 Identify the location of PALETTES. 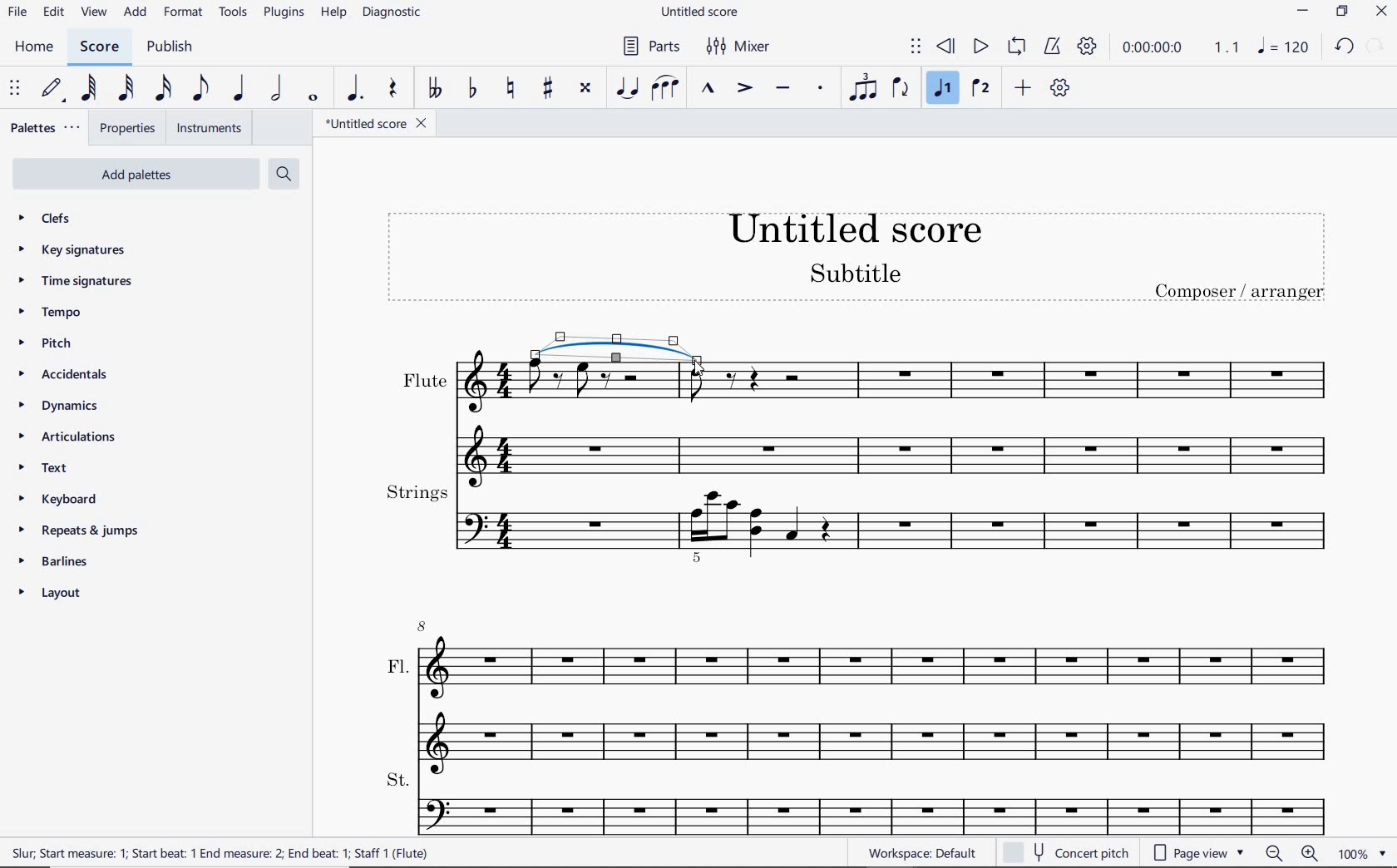
(47, 130).